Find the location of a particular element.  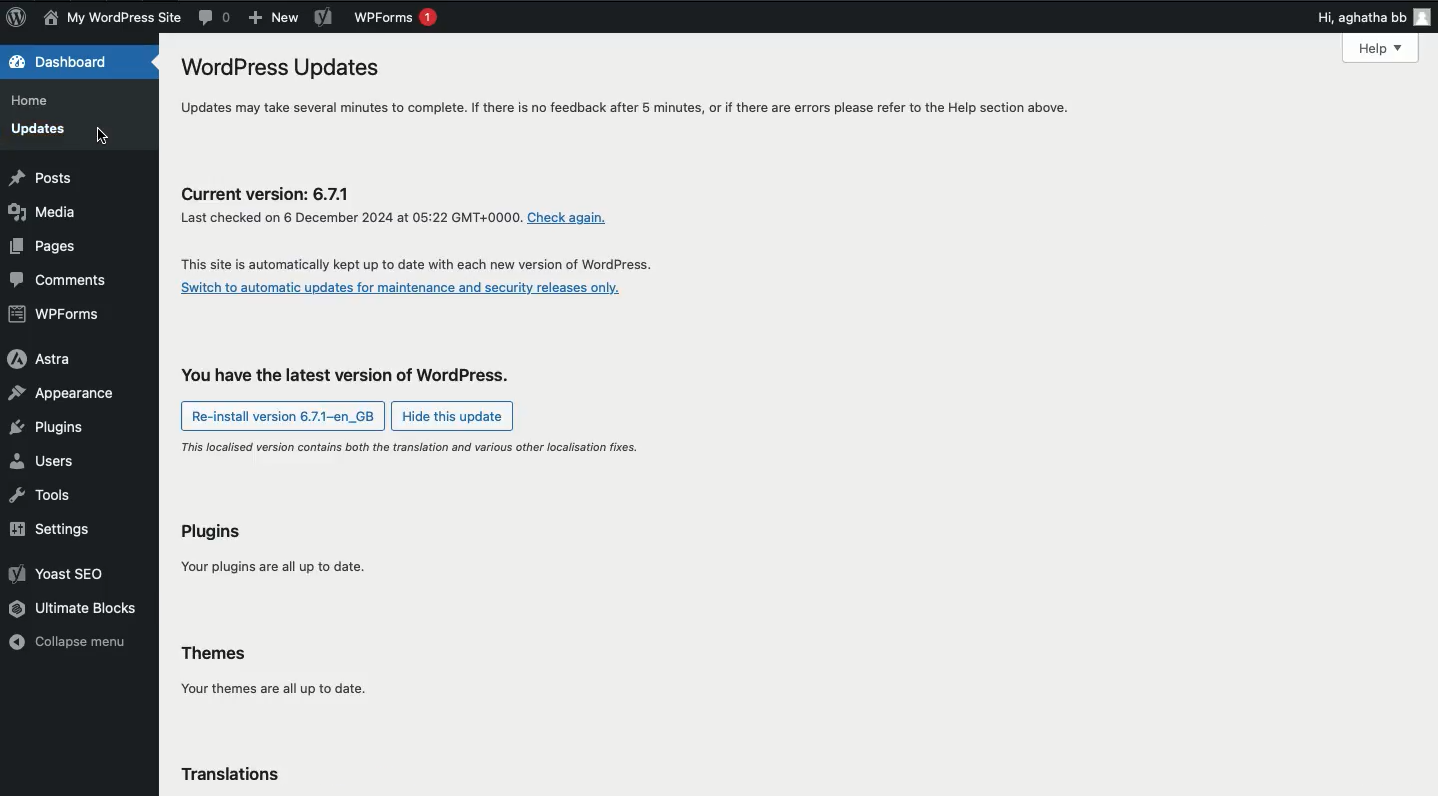

WordPress updates is located at coordinates (625, 90).